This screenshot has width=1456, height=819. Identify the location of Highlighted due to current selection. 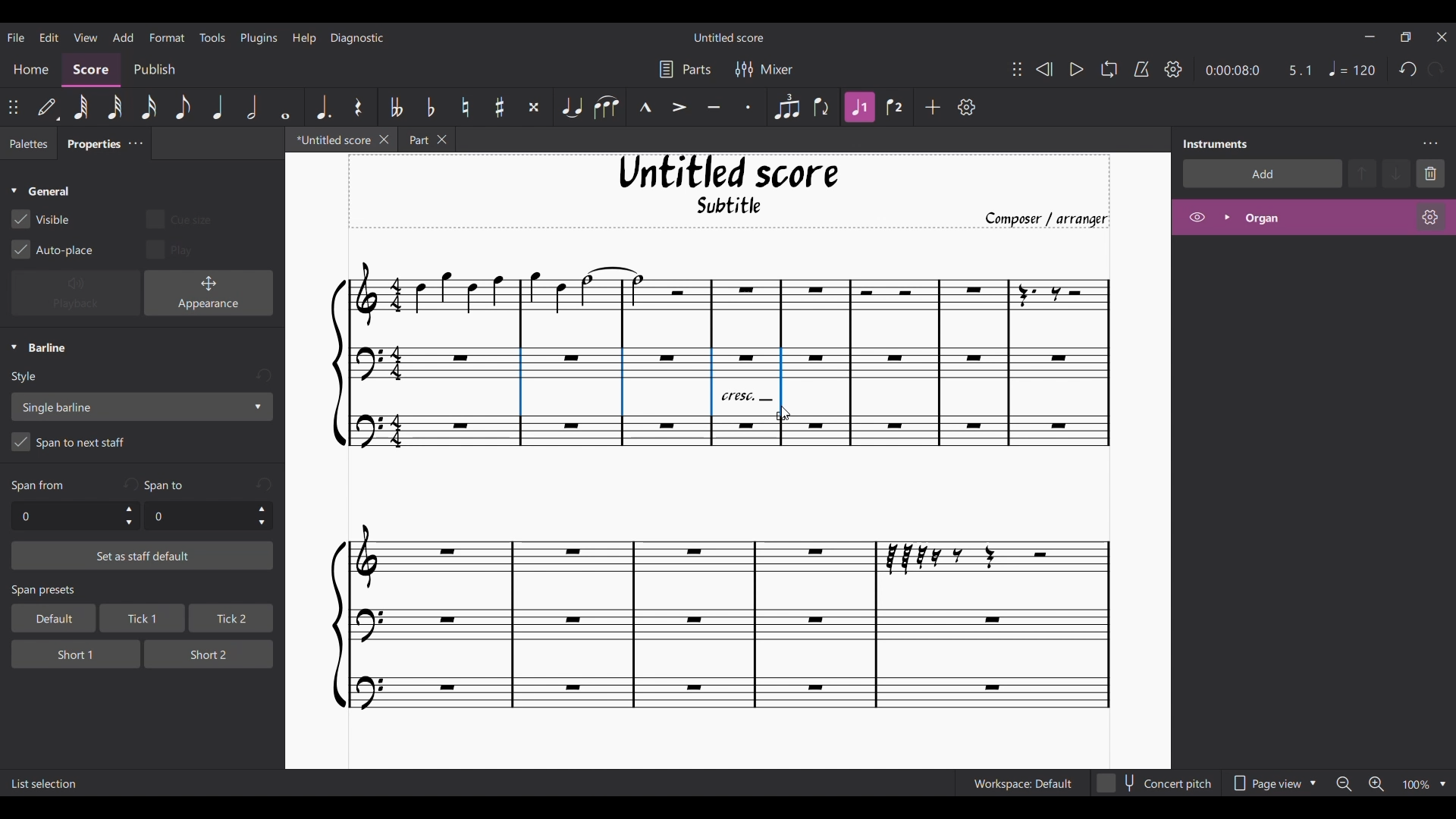
(781, 384).